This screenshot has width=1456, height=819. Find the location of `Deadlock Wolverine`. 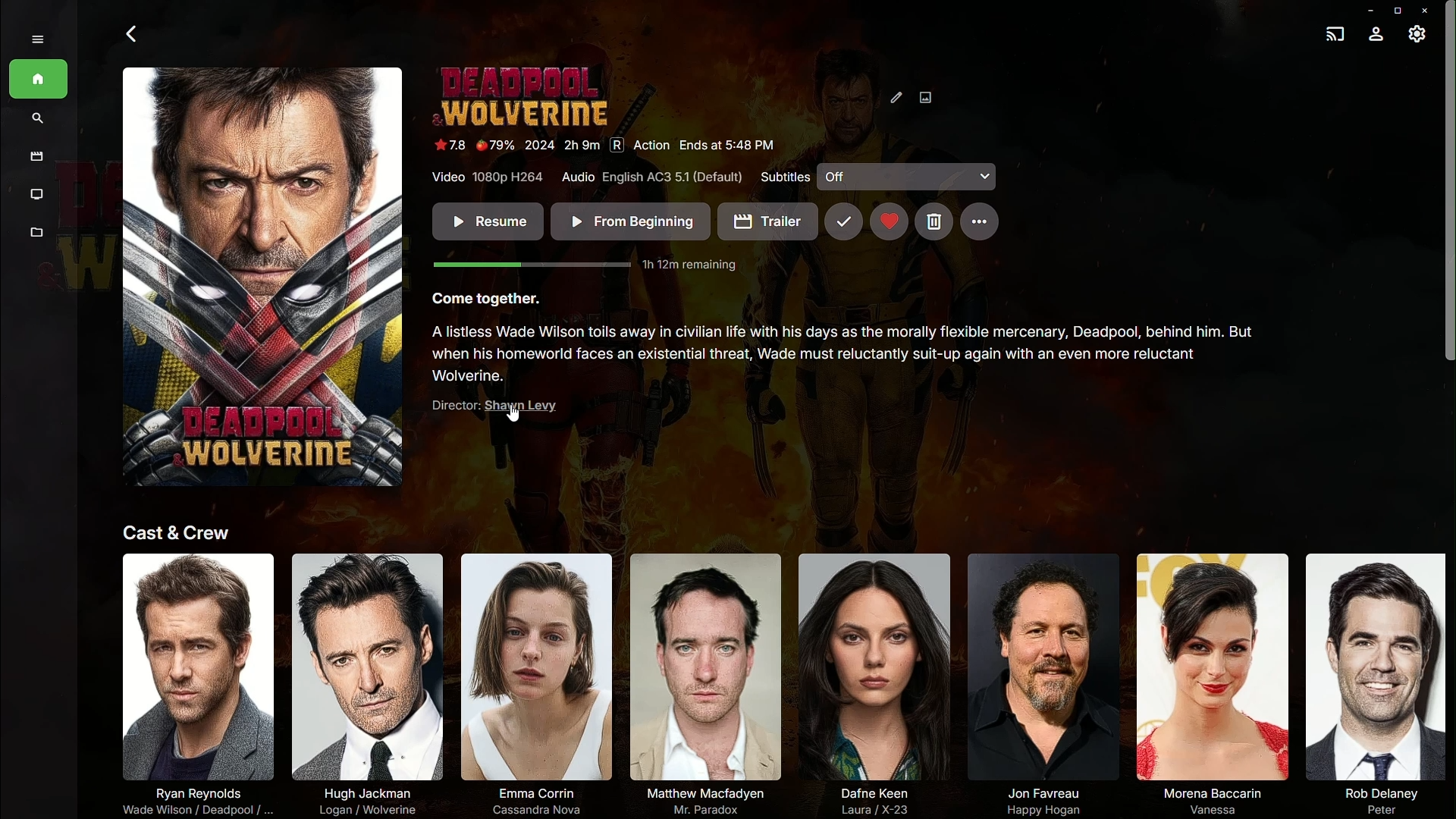

Deadlock Wolverine is located at coordinates (261, 281).